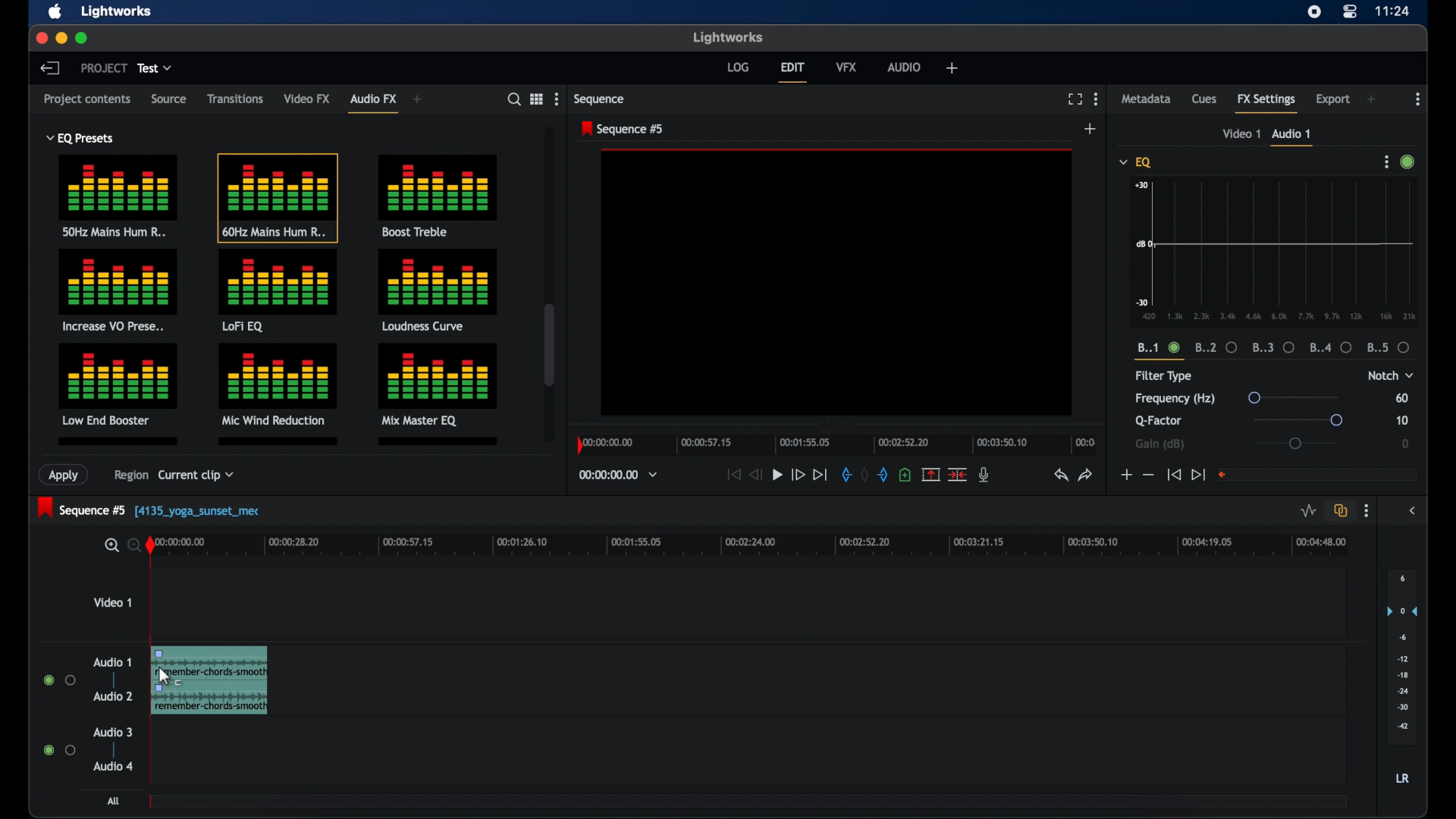 This screenshot has width=1456, height=819. What do you see at coordinates (1341, 510) in the screenshot?
I see `toggle auto track sync` at bounding box center [1341, 510].